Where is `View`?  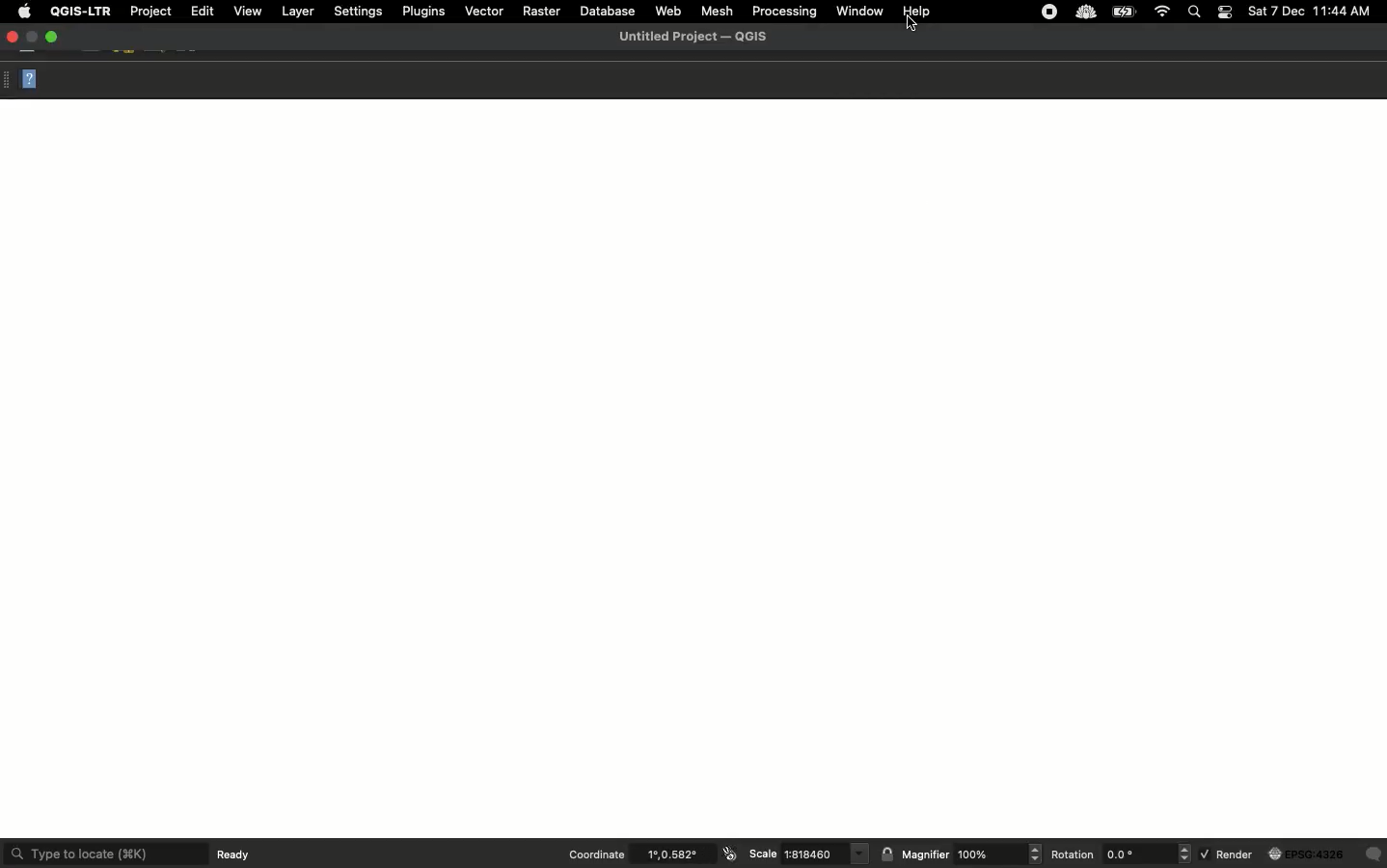 View is located at coordinates (248, 12).